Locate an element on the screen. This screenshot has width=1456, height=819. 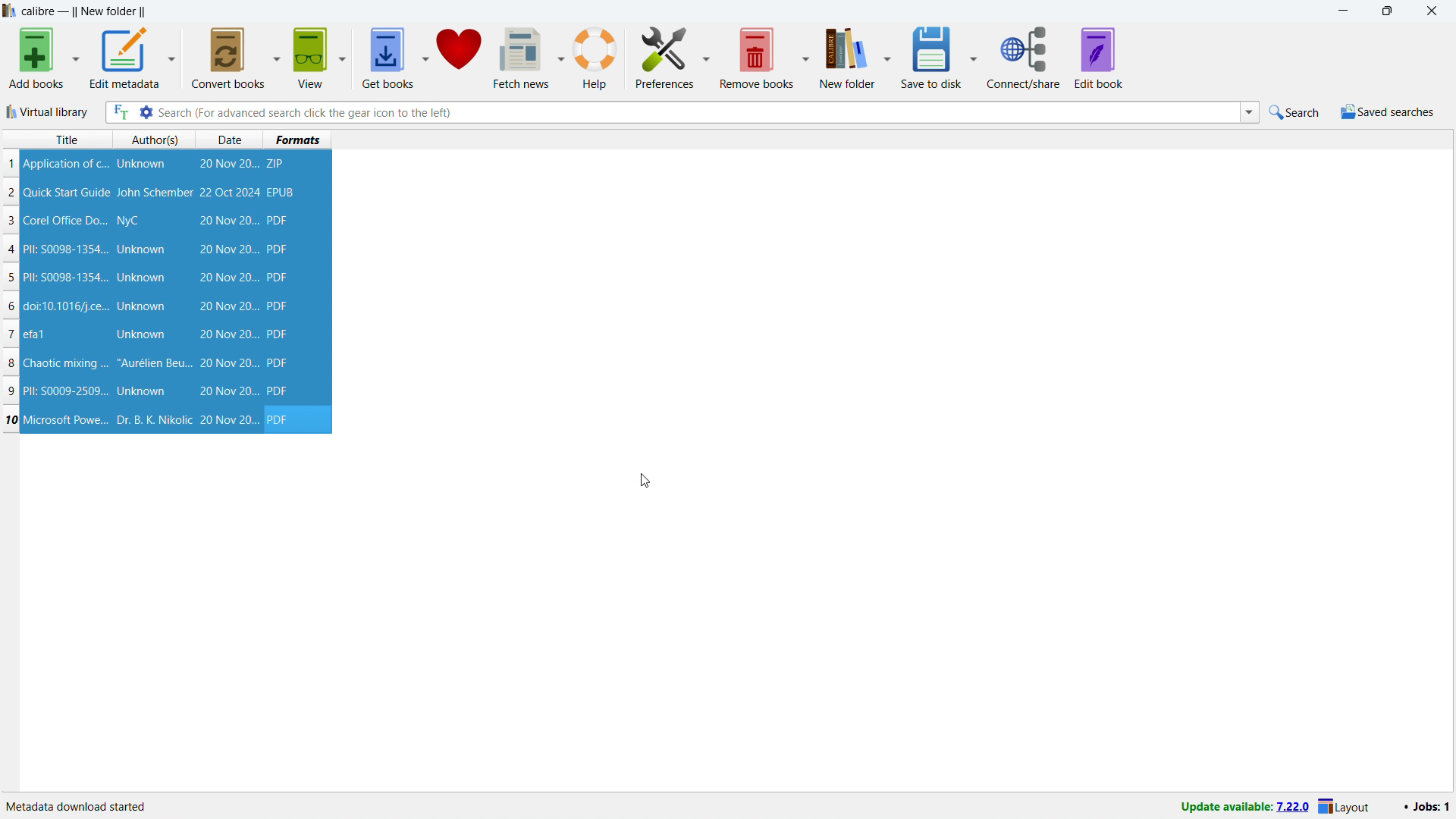
cursor is located at coordinates (644, 481).